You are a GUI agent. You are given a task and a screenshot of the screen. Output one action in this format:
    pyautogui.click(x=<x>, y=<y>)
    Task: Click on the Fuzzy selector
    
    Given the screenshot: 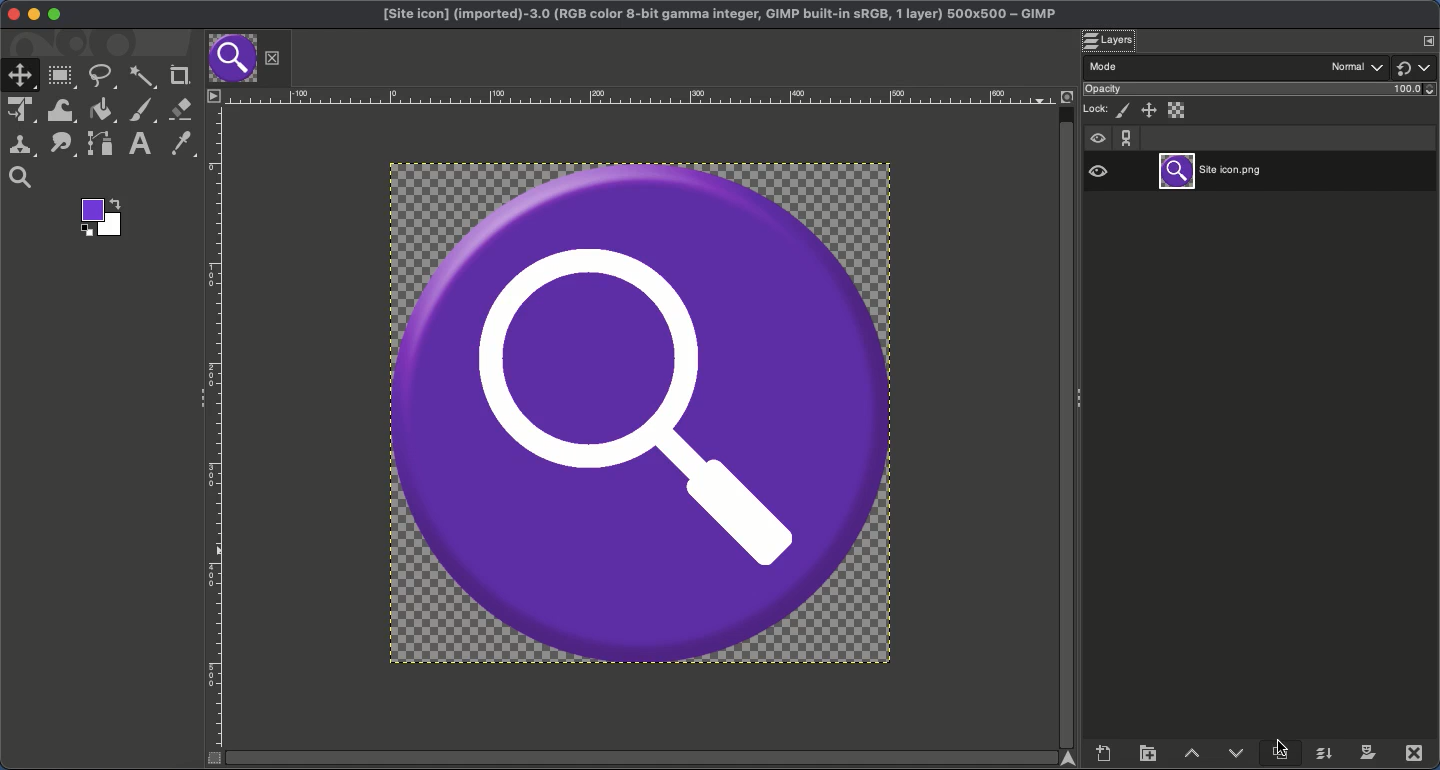 What is the action you would take?
    pyautogui.click(x=144, y=77)
    